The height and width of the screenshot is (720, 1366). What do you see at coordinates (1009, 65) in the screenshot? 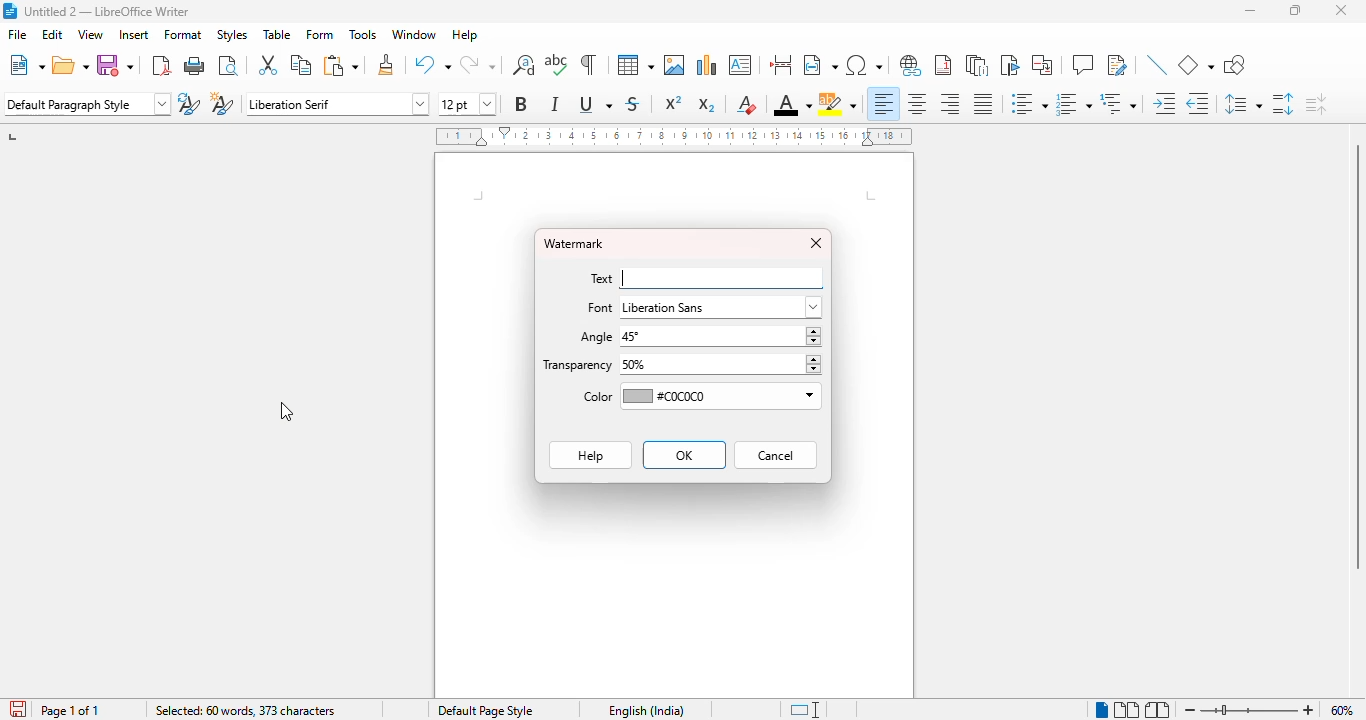
I see `insert bookmark` at bounding box center [1009, 65].